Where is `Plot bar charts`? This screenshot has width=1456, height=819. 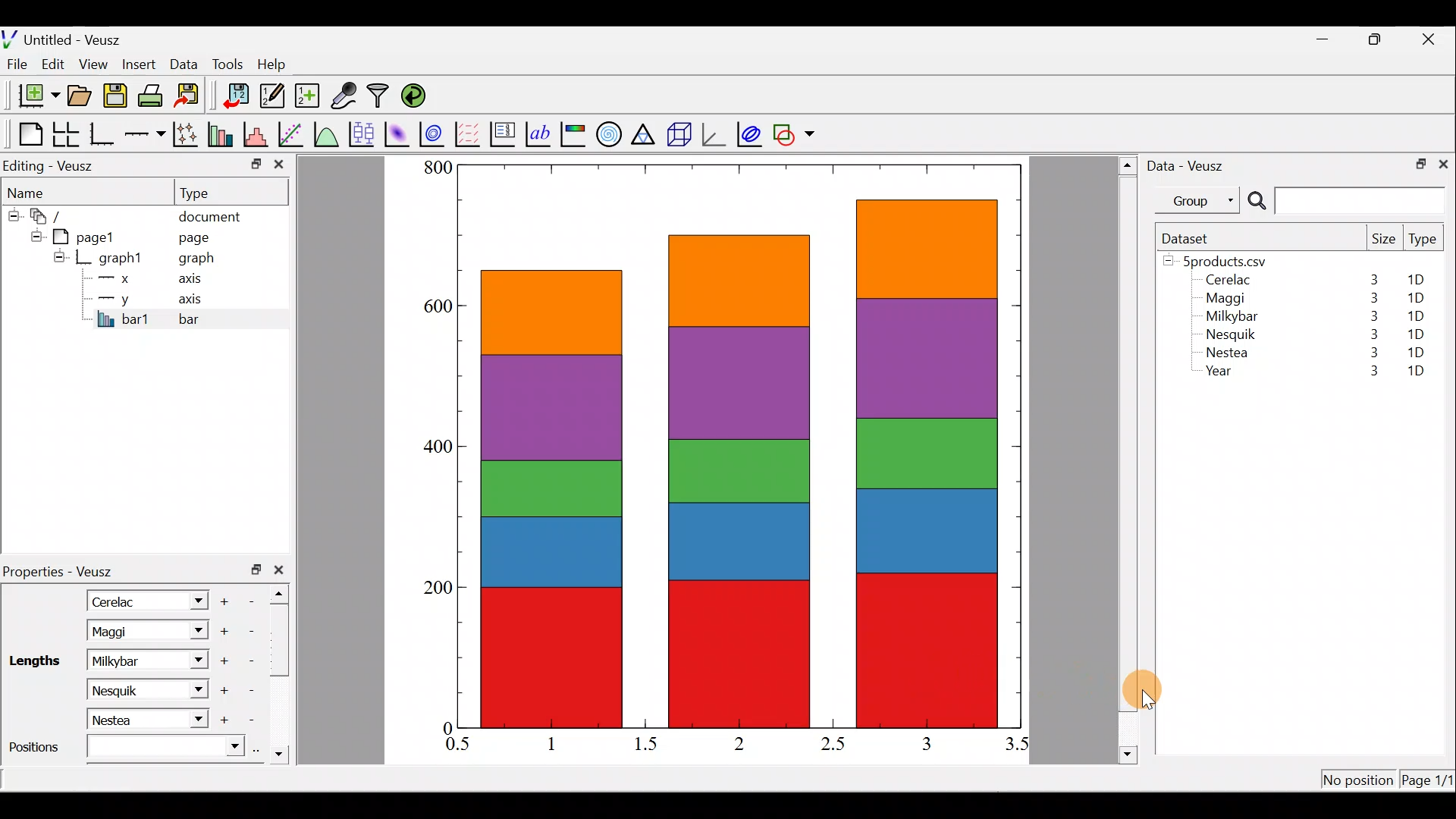 Plot bar charts is located at coordinates (222, 133).